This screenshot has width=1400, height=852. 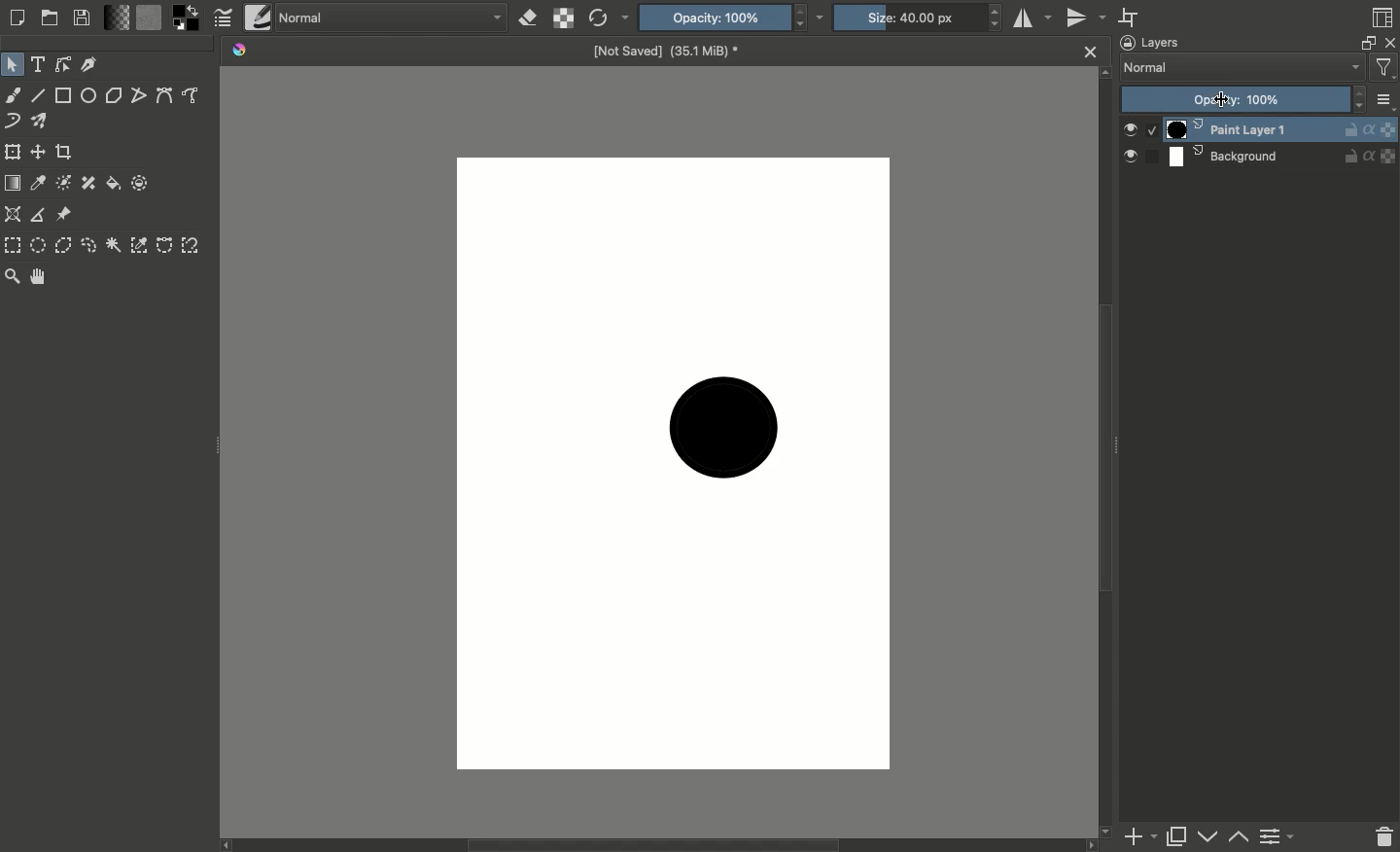 I want to click on Alpha, so click(x=1369, y=129).